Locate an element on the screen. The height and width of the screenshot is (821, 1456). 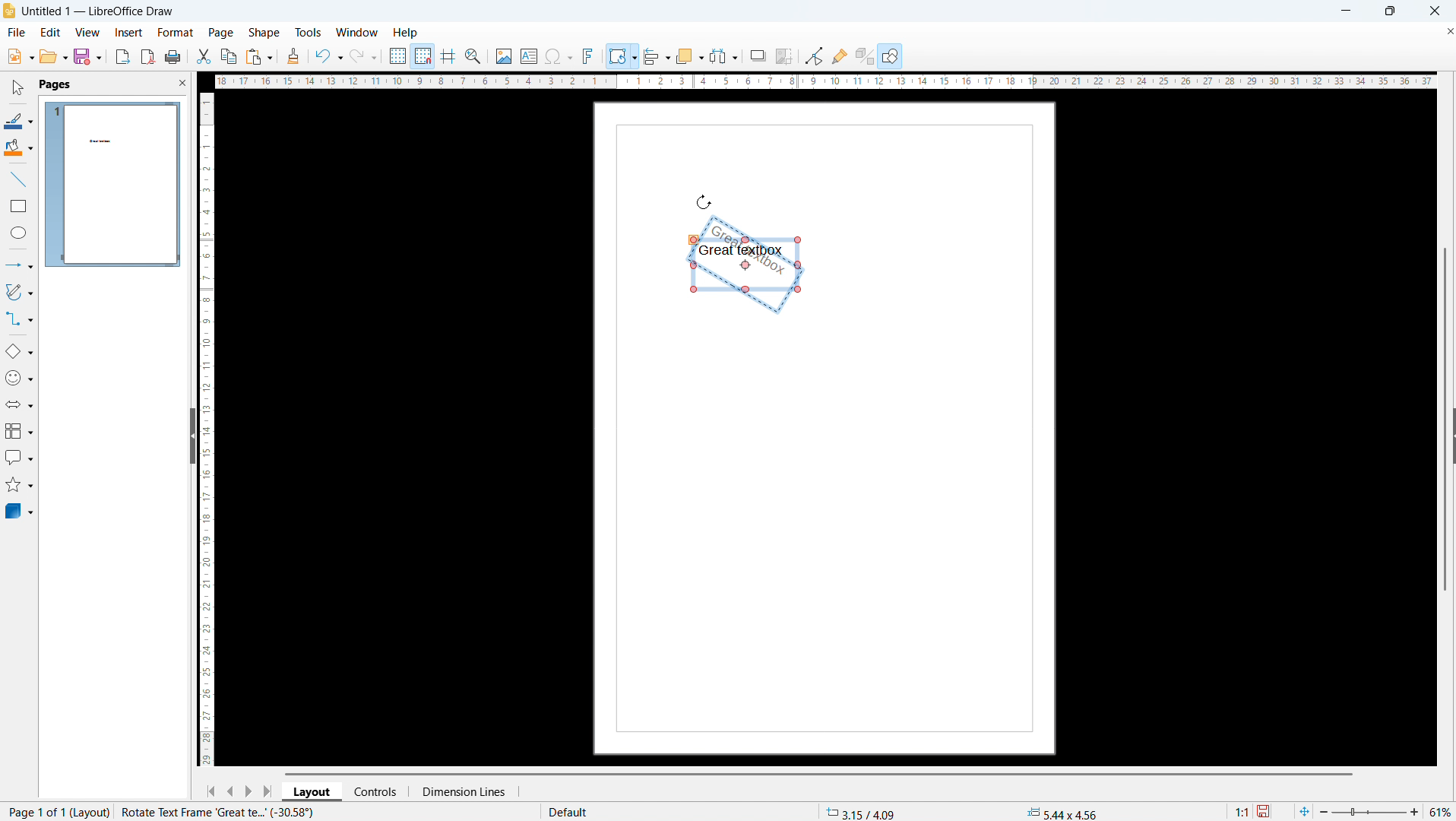
insert textbox is located at coordinates (529, 55).